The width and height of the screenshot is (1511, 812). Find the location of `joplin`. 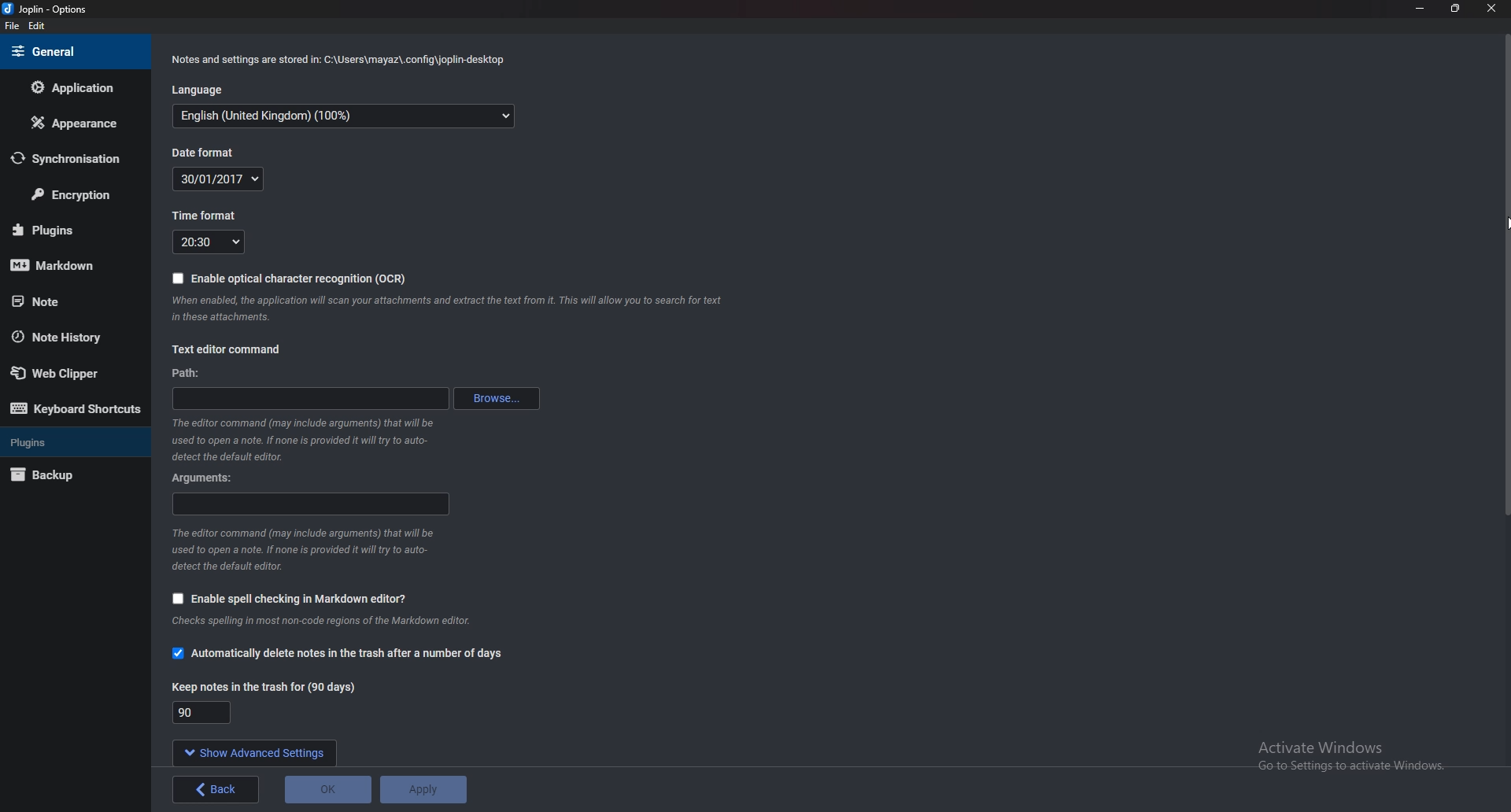

joplin is located at coordinates (48, 10).